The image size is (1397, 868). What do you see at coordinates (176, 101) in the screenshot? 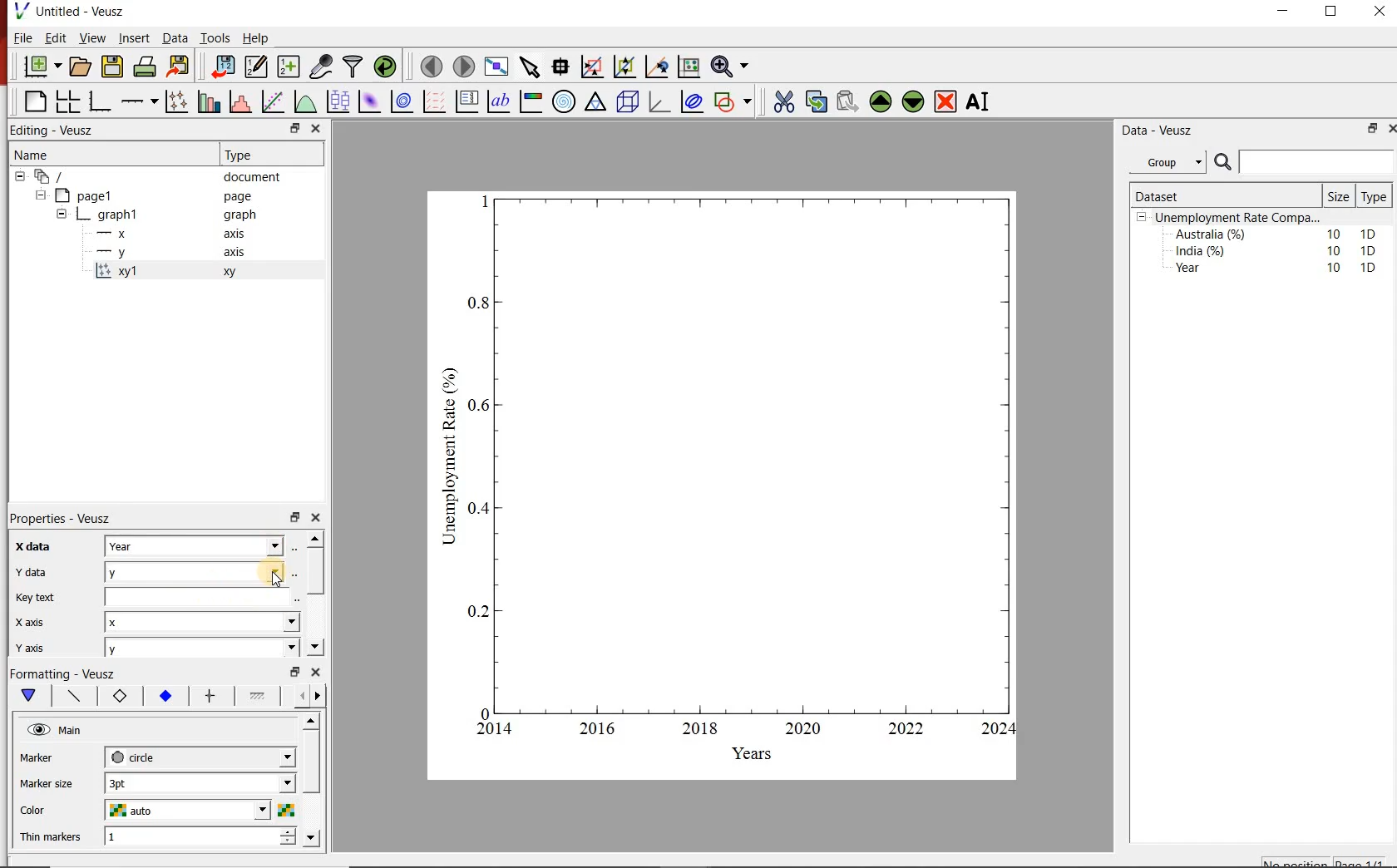
I see `plot points with lines and errorbars` at bounding box center [176, 101].